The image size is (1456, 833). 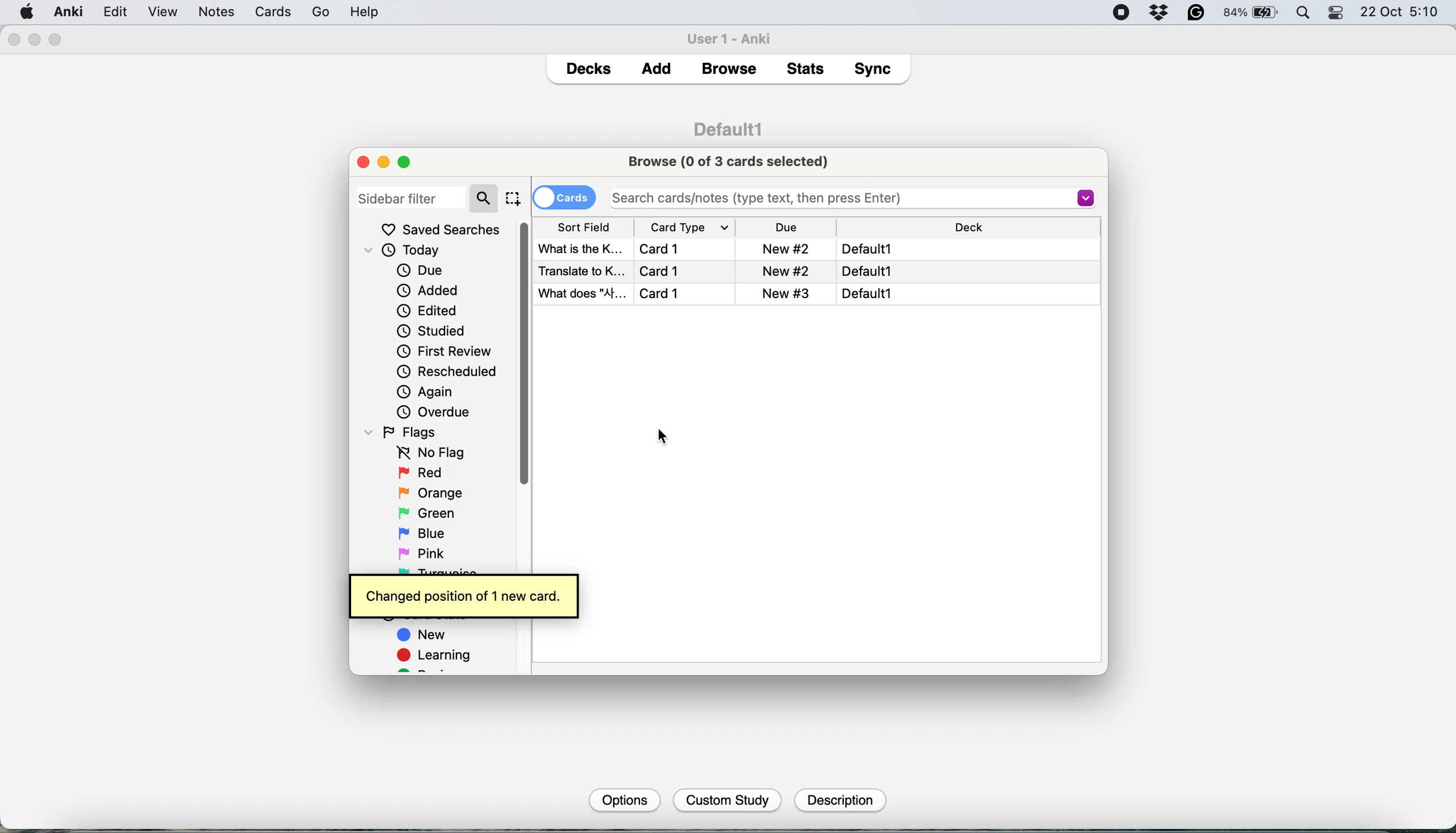 I want to click on first review, so click(x=444, y=353).